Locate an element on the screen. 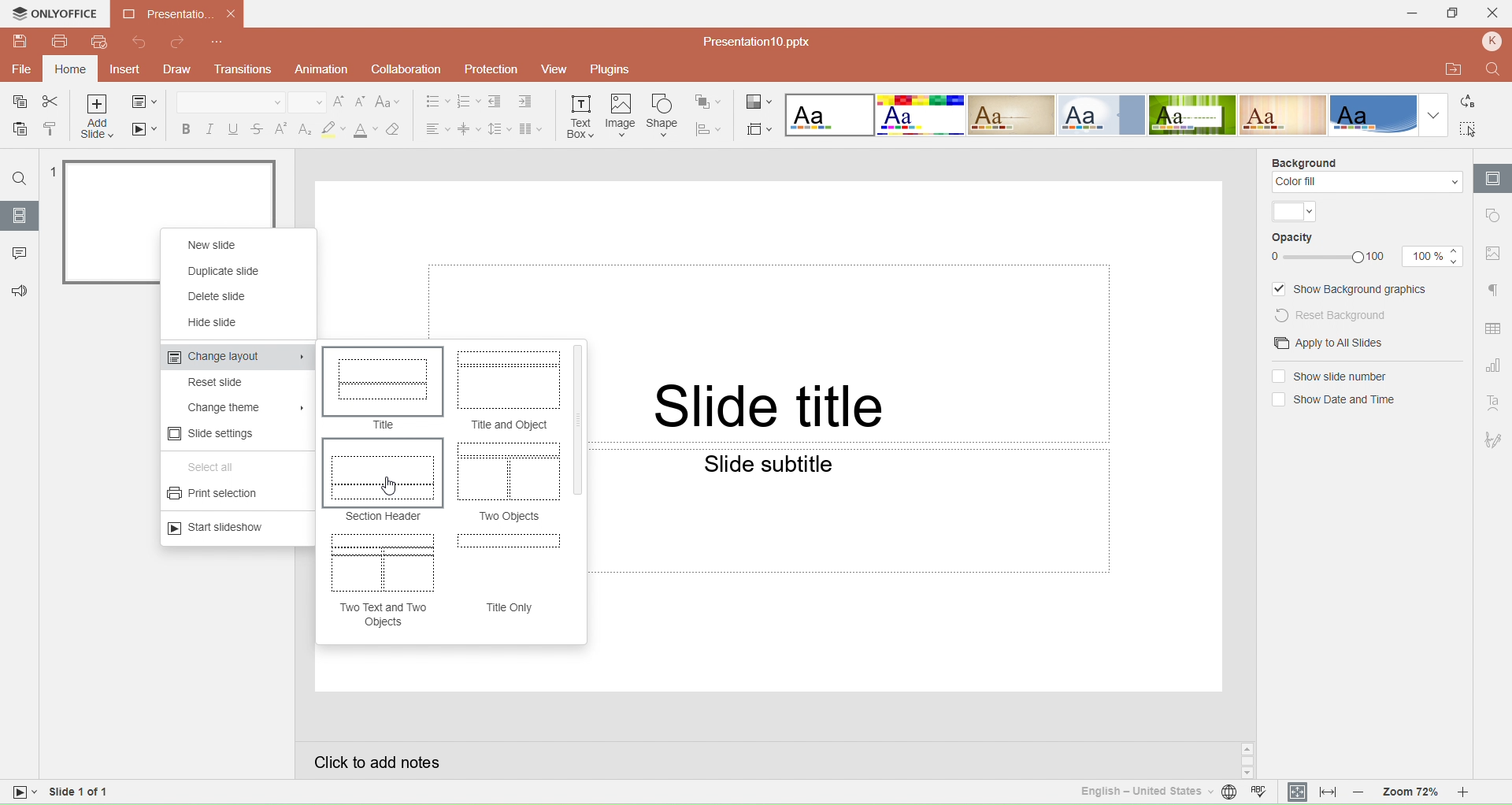 This screenshot has height=805, width=1512. Opacity is located at coordinates (1294, 239).